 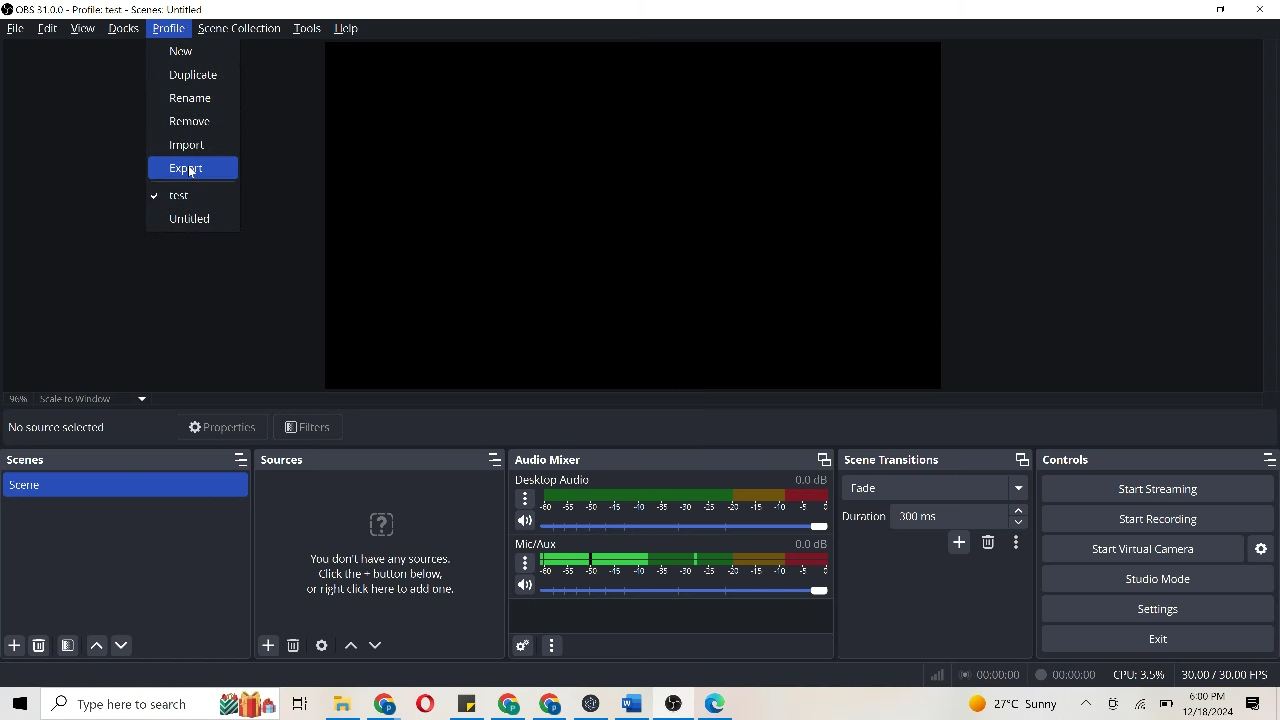 I want to click on open scene filters, so click(x=68, y=642).